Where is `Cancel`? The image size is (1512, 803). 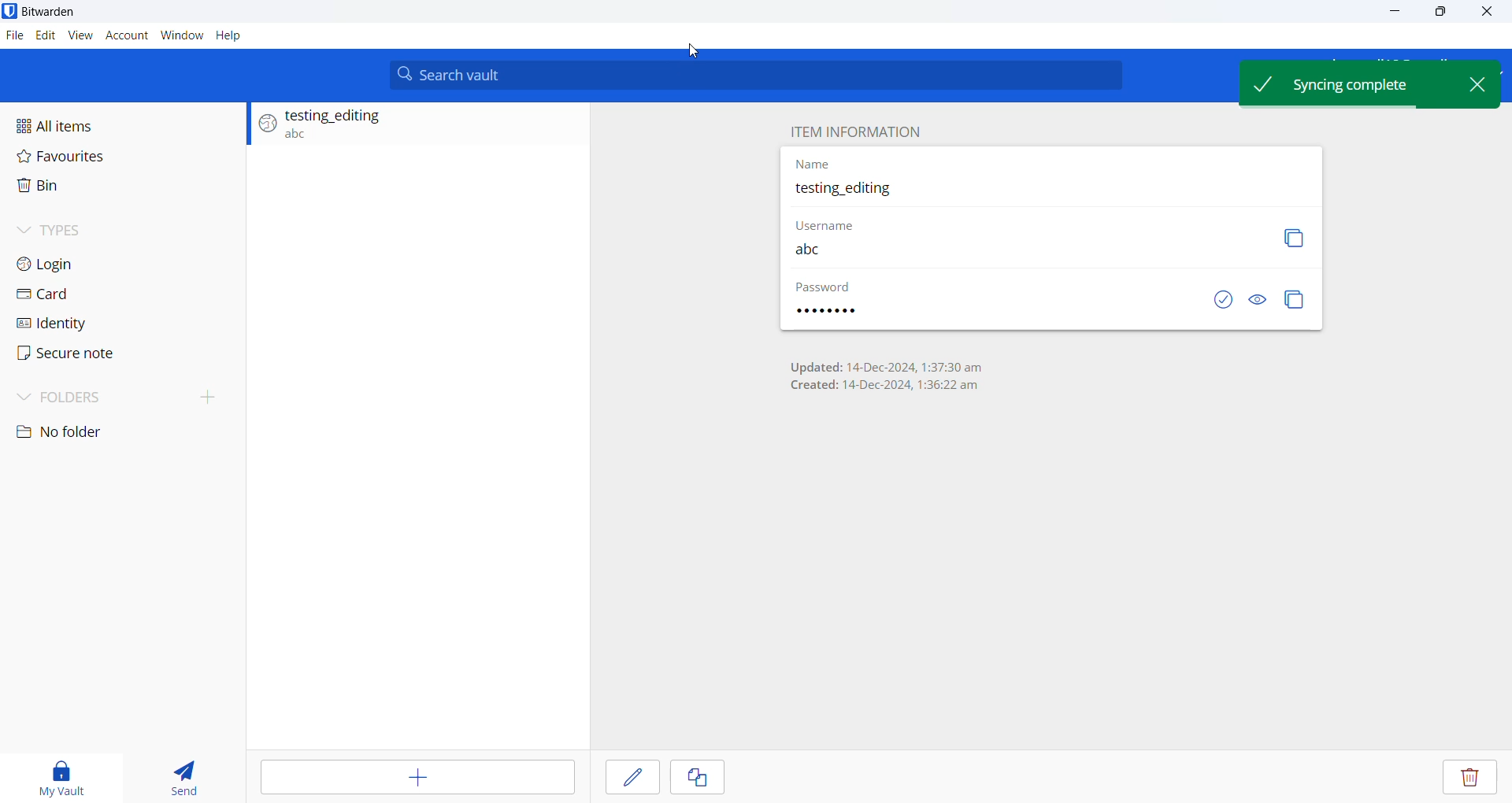
Cancel is located at coordinates (708, 779).